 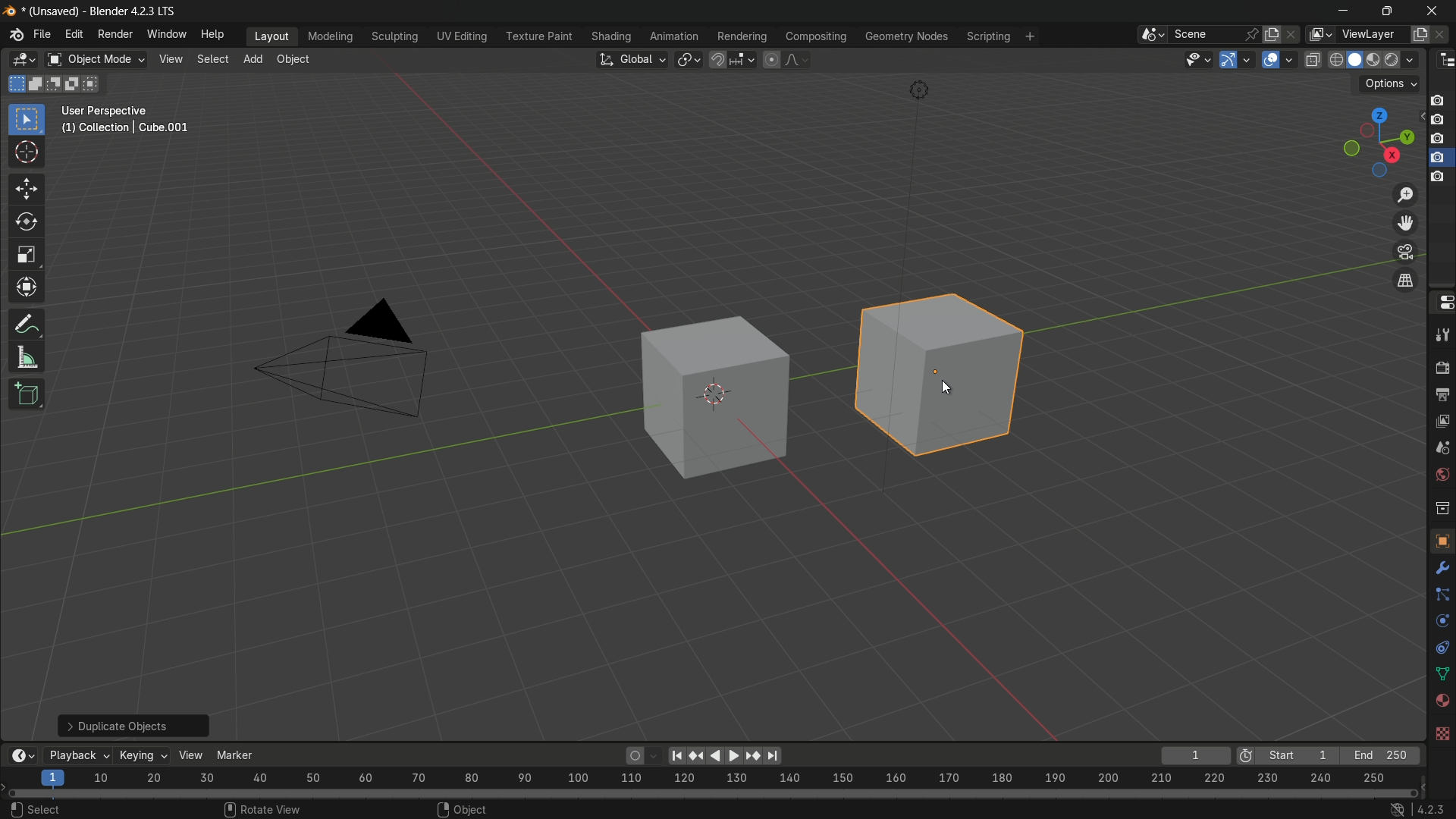 What do you see at coordinates (1290, 33) in the screenshot?
I see `delete scene` at bounding box center [1290, 33].